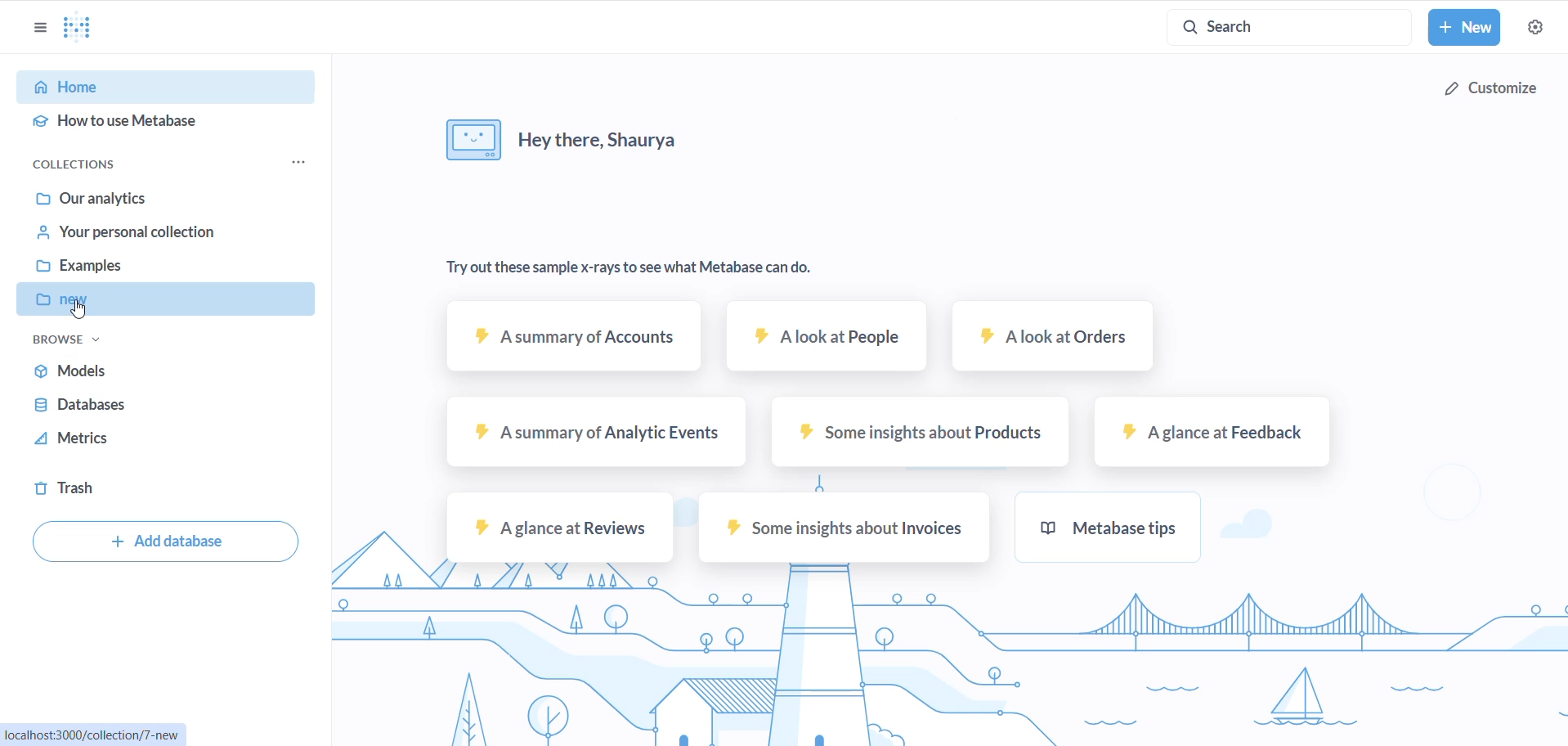 This screenshot has height=746, width=1568. I want to click on collections, so click(90, 162).